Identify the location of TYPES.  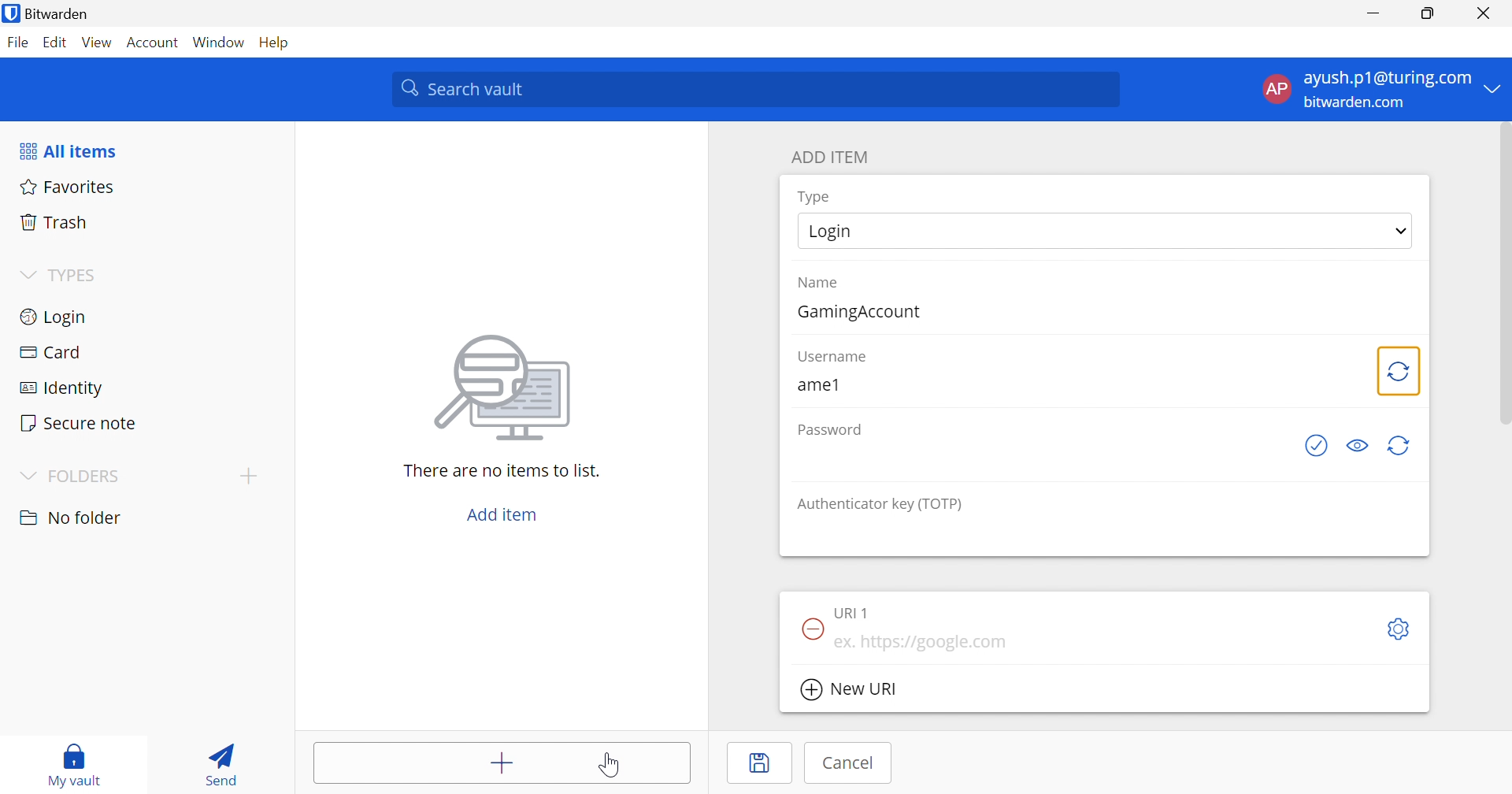
(77, 274).